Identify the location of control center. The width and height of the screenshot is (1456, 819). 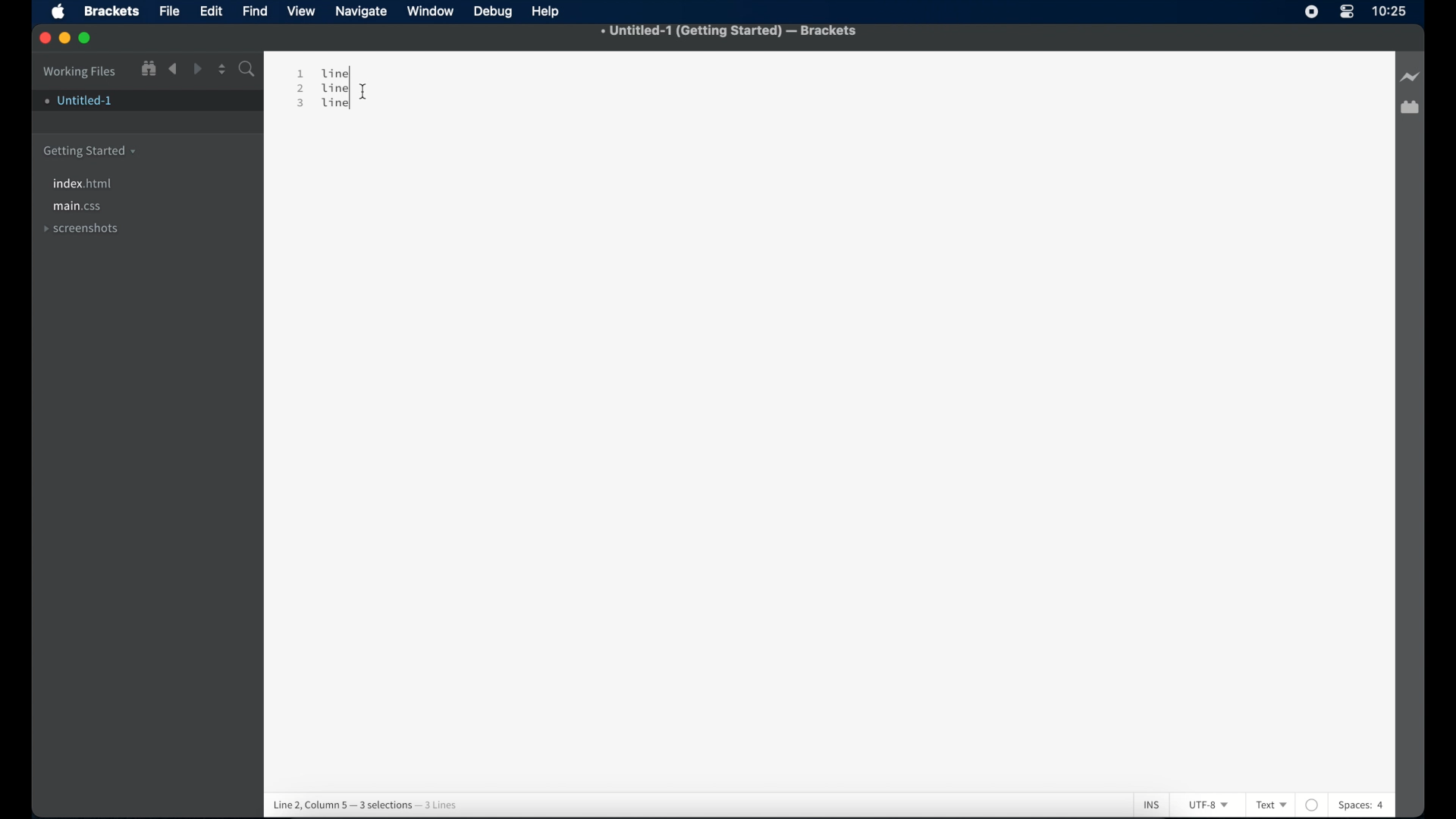
(1348, 12).